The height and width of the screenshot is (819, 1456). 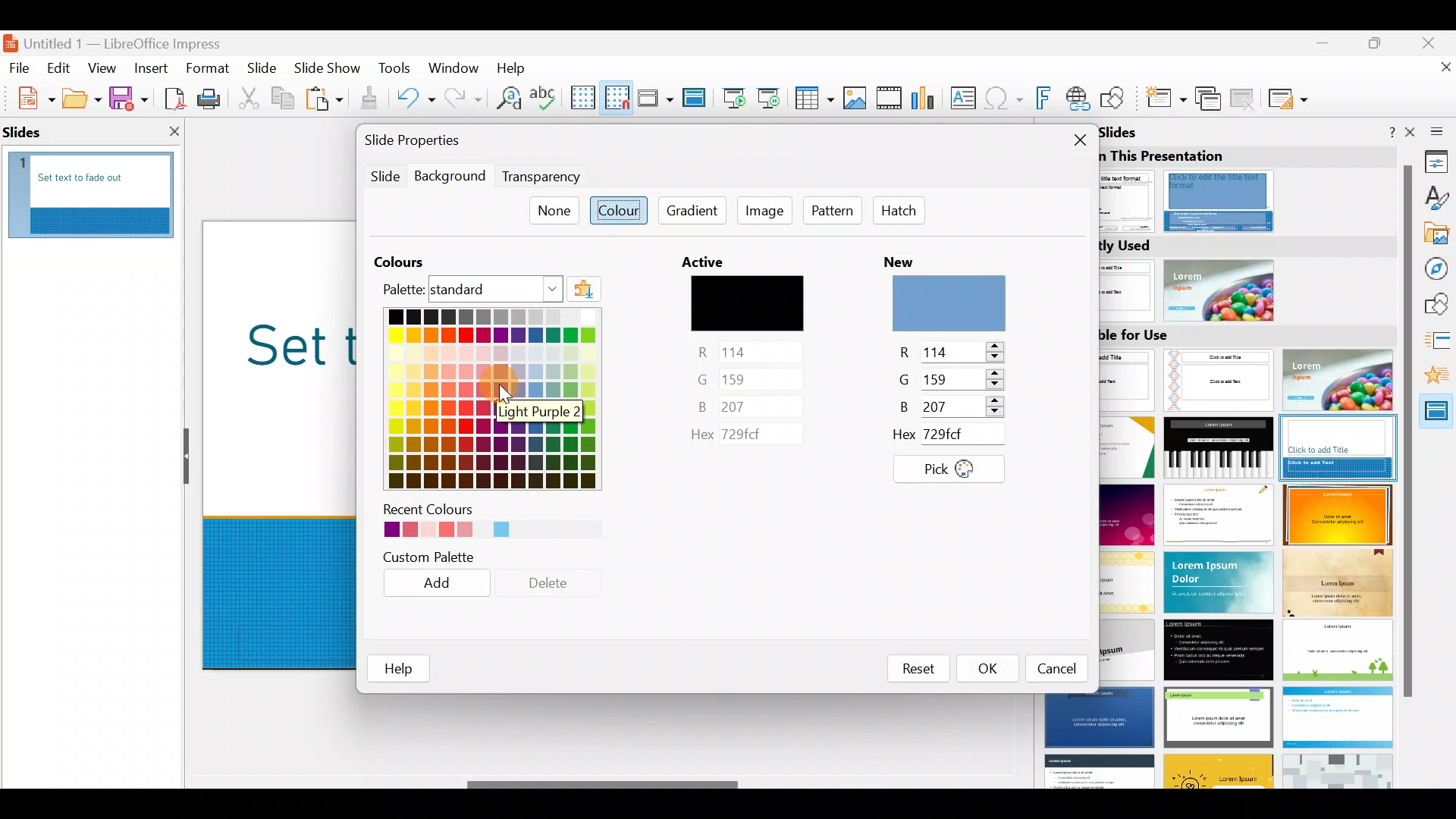 I want to click on Reset, so click(x=915, y=666).